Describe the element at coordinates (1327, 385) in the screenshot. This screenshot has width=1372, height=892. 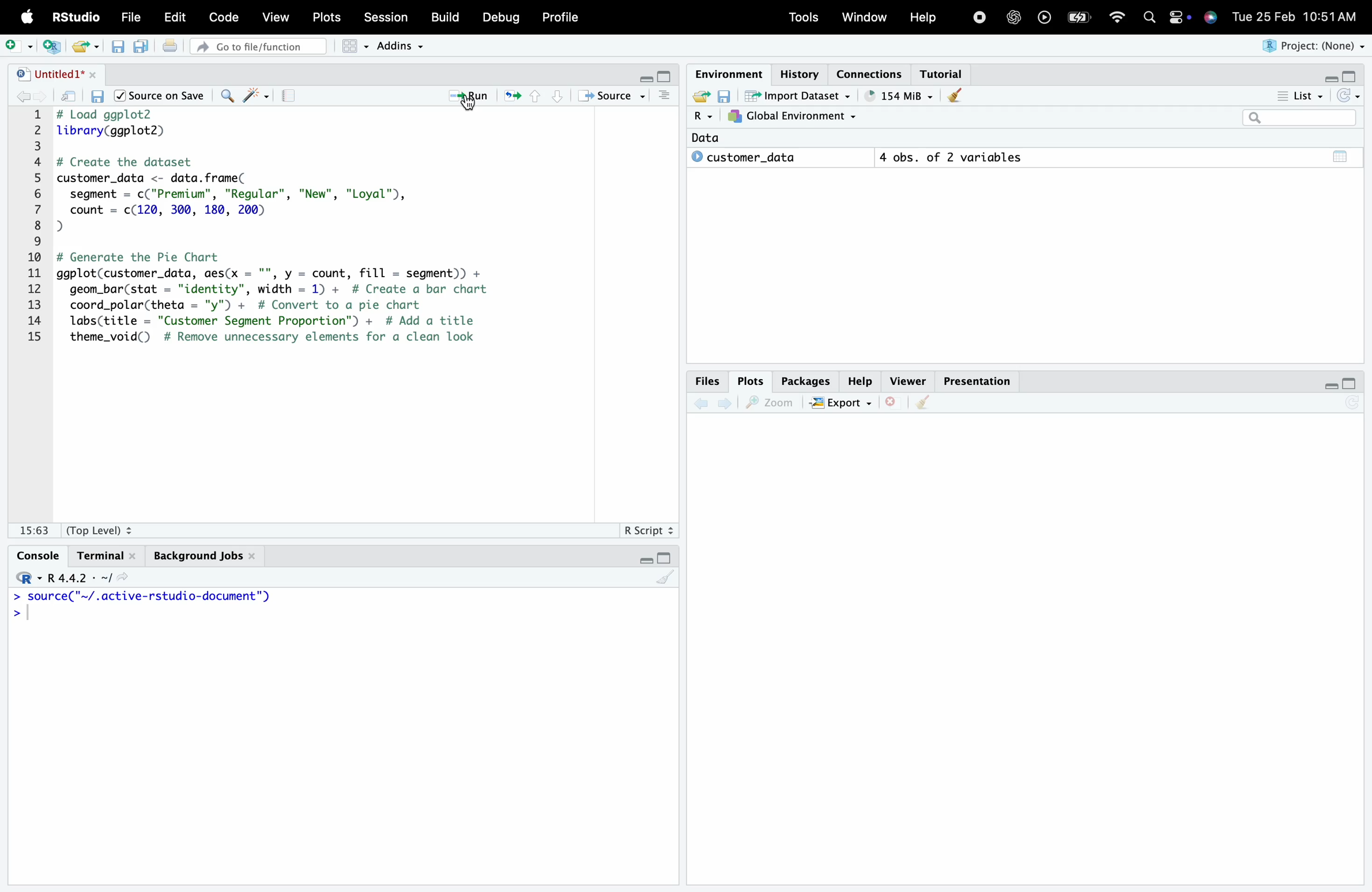
I see `minimise` at that location.